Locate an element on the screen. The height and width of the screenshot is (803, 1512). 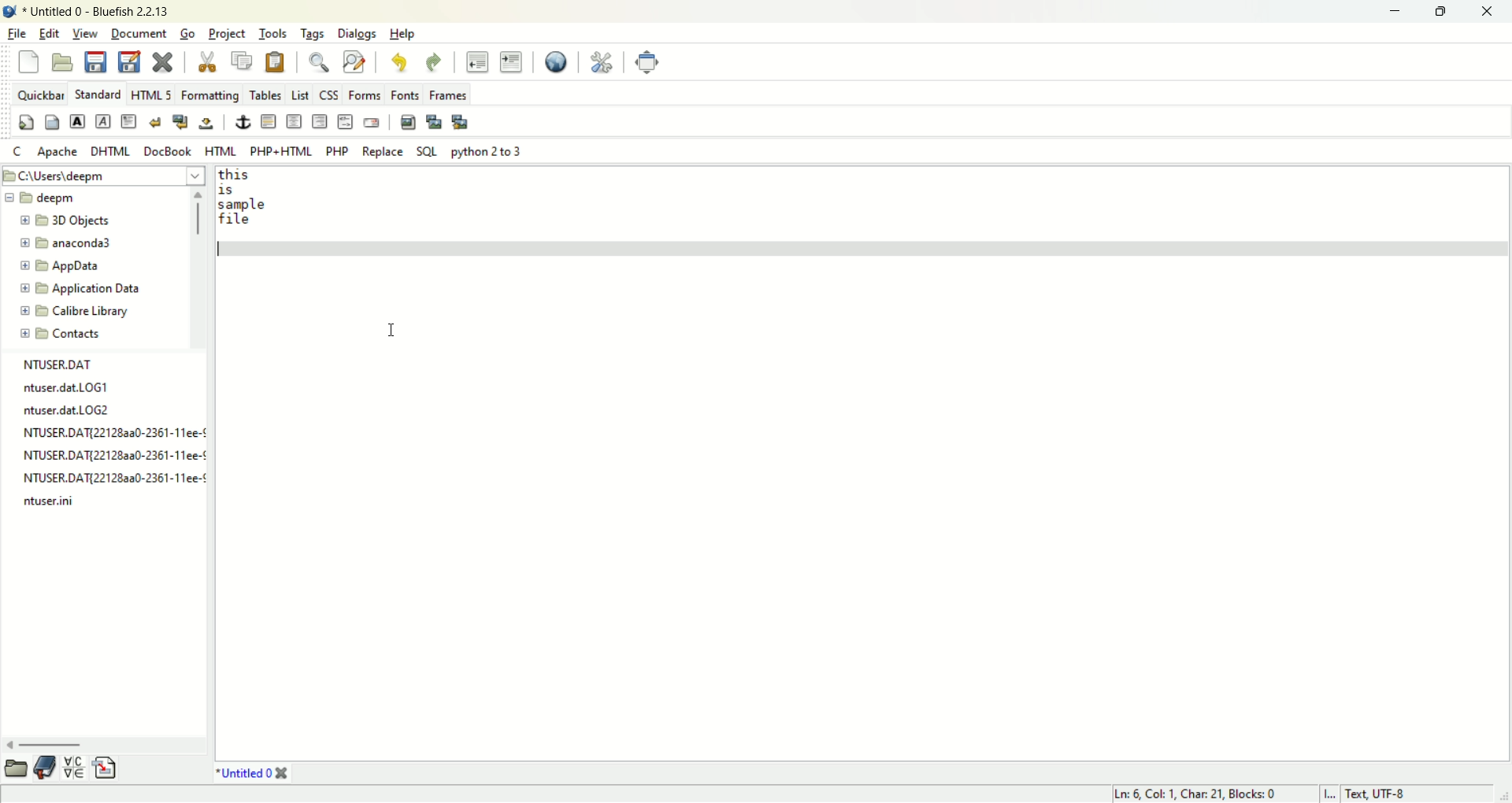
horizontal rule is located at coordinates (265, 121).